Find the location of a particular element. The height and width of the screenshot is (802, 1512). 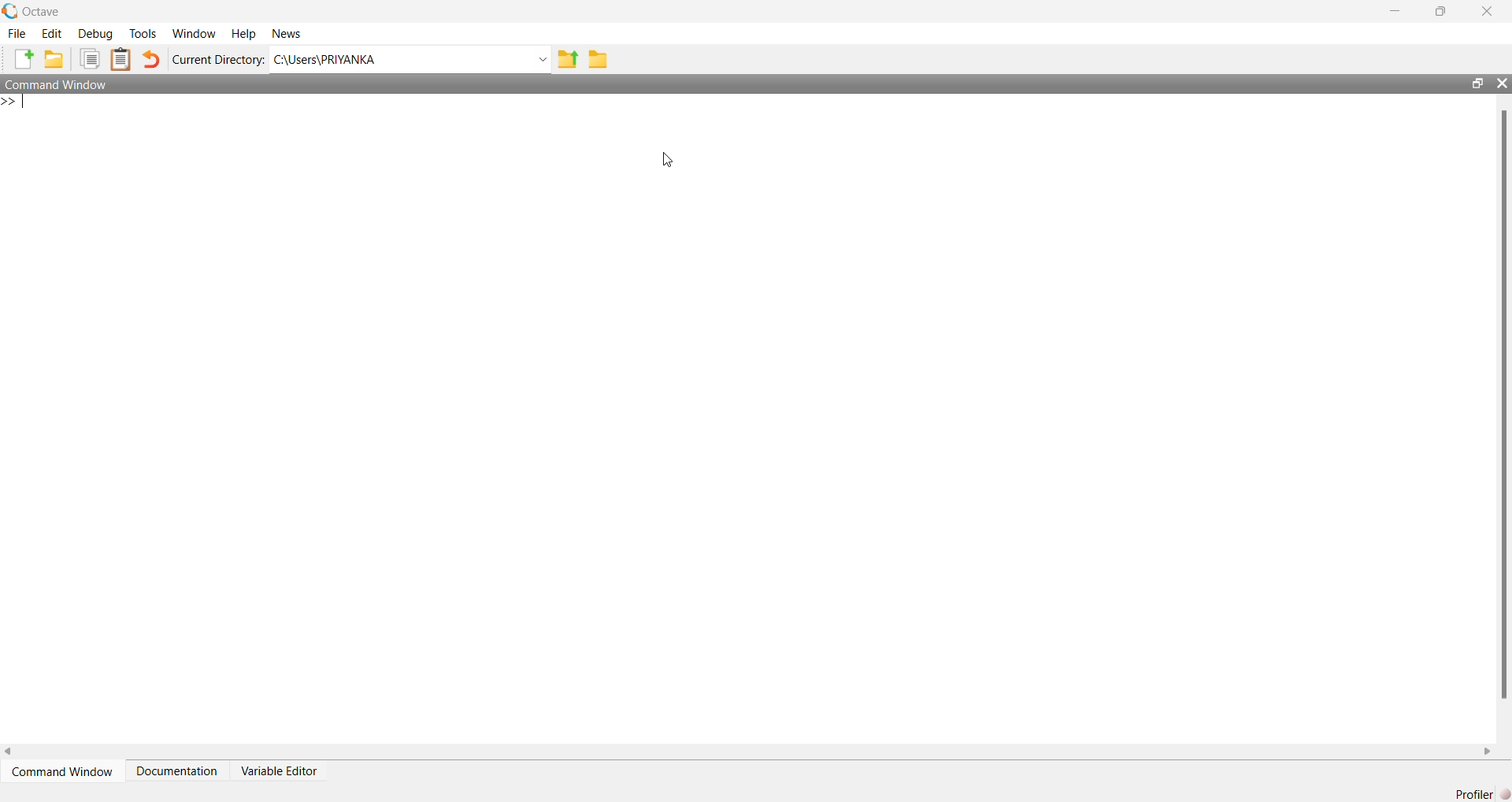

Profiler is located at coordinates (1482, 794).